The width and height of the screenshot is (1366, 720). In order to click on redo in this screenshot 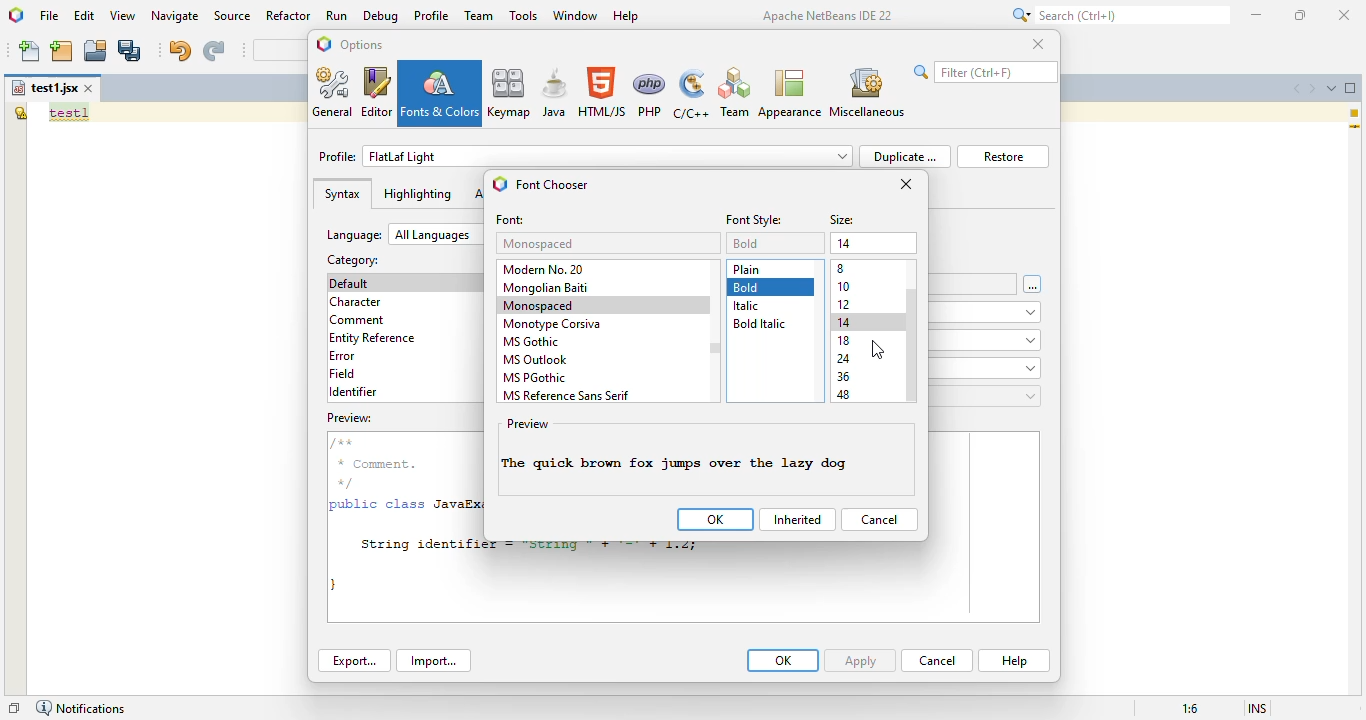, I will do `click(213, 51)`.